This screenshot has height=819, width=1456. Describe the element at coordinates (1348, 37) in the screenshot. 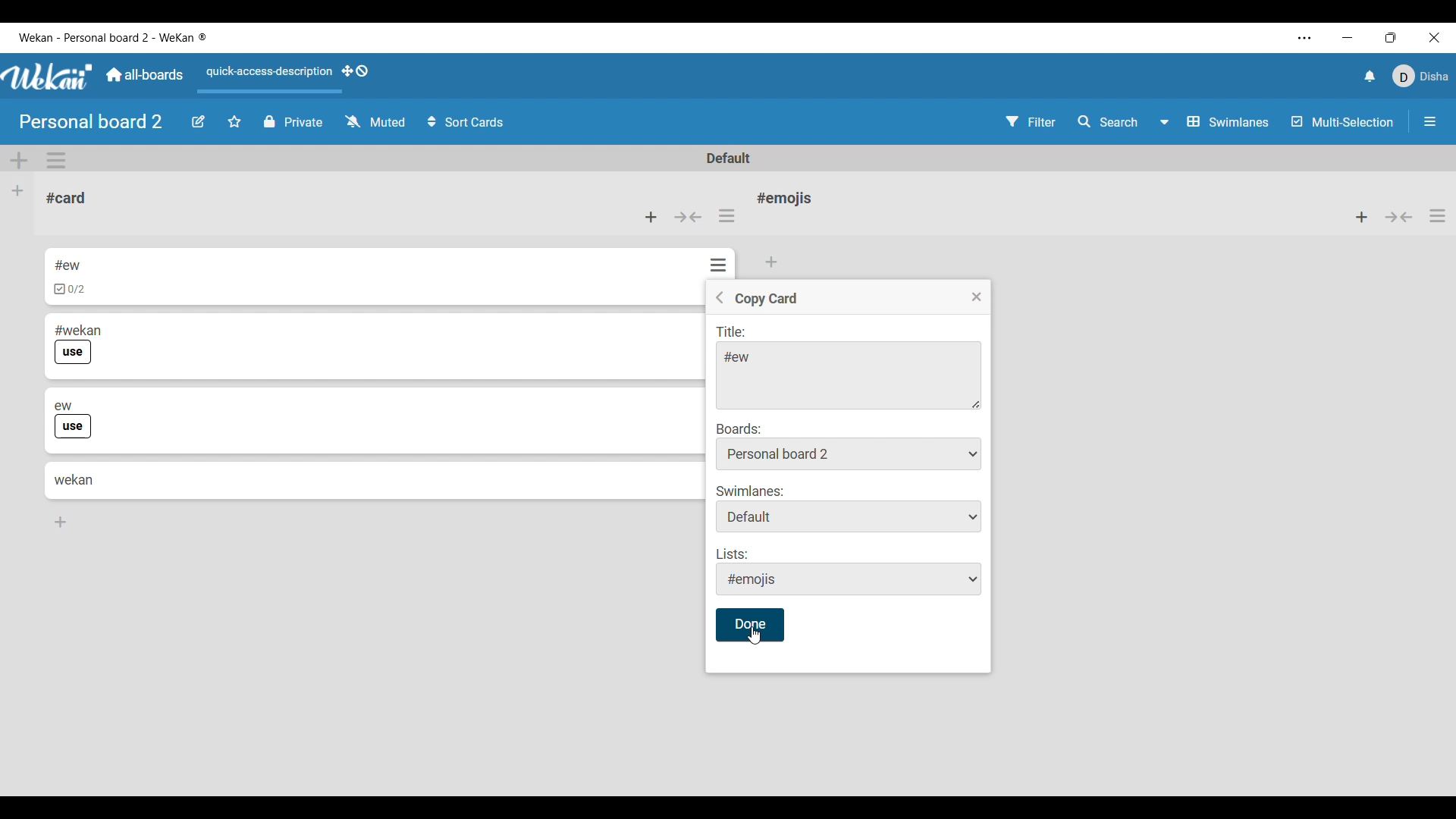

I see `Minimize` at that location.